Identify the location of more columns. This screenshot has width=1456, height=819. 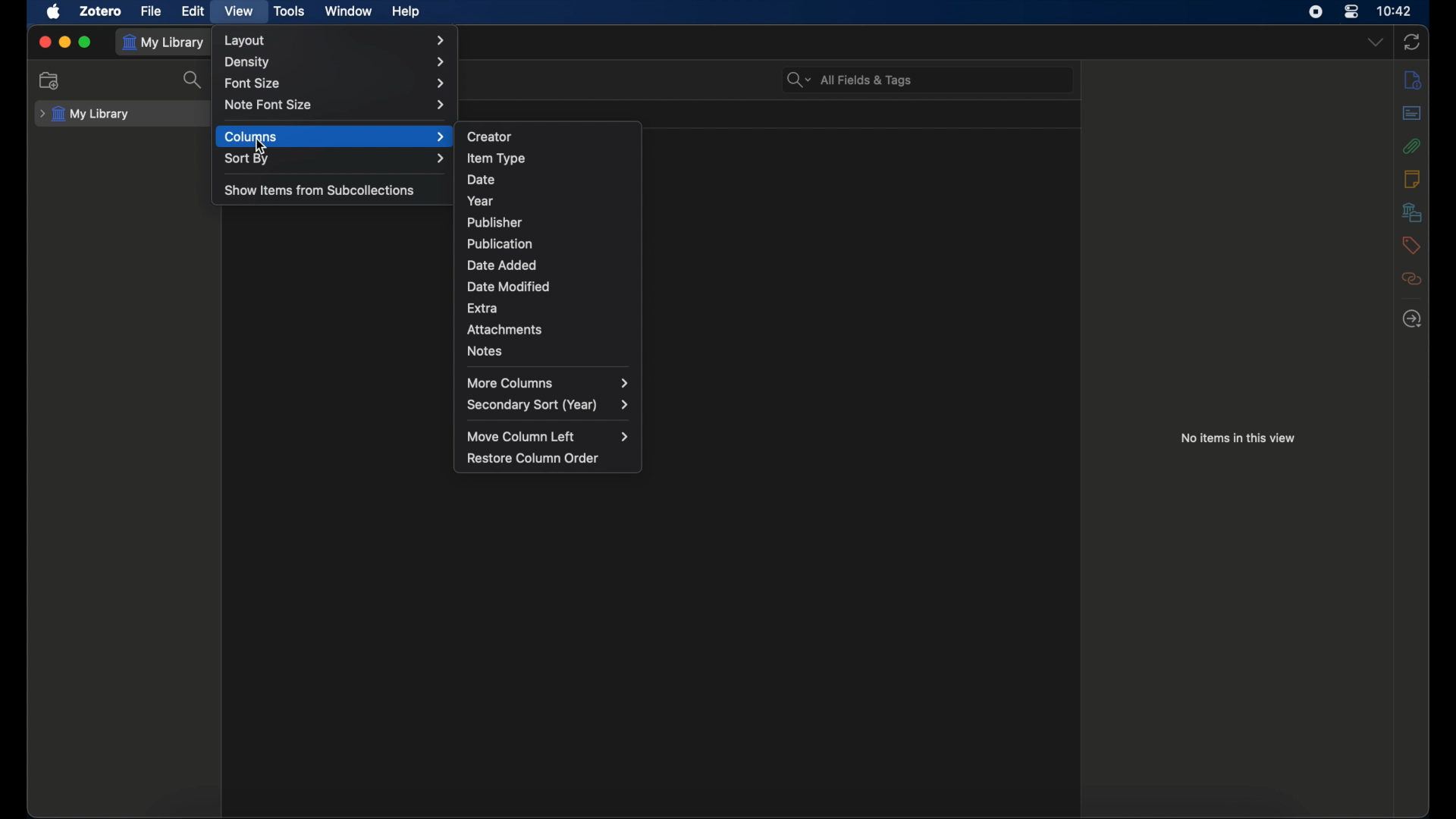
(549, 383).